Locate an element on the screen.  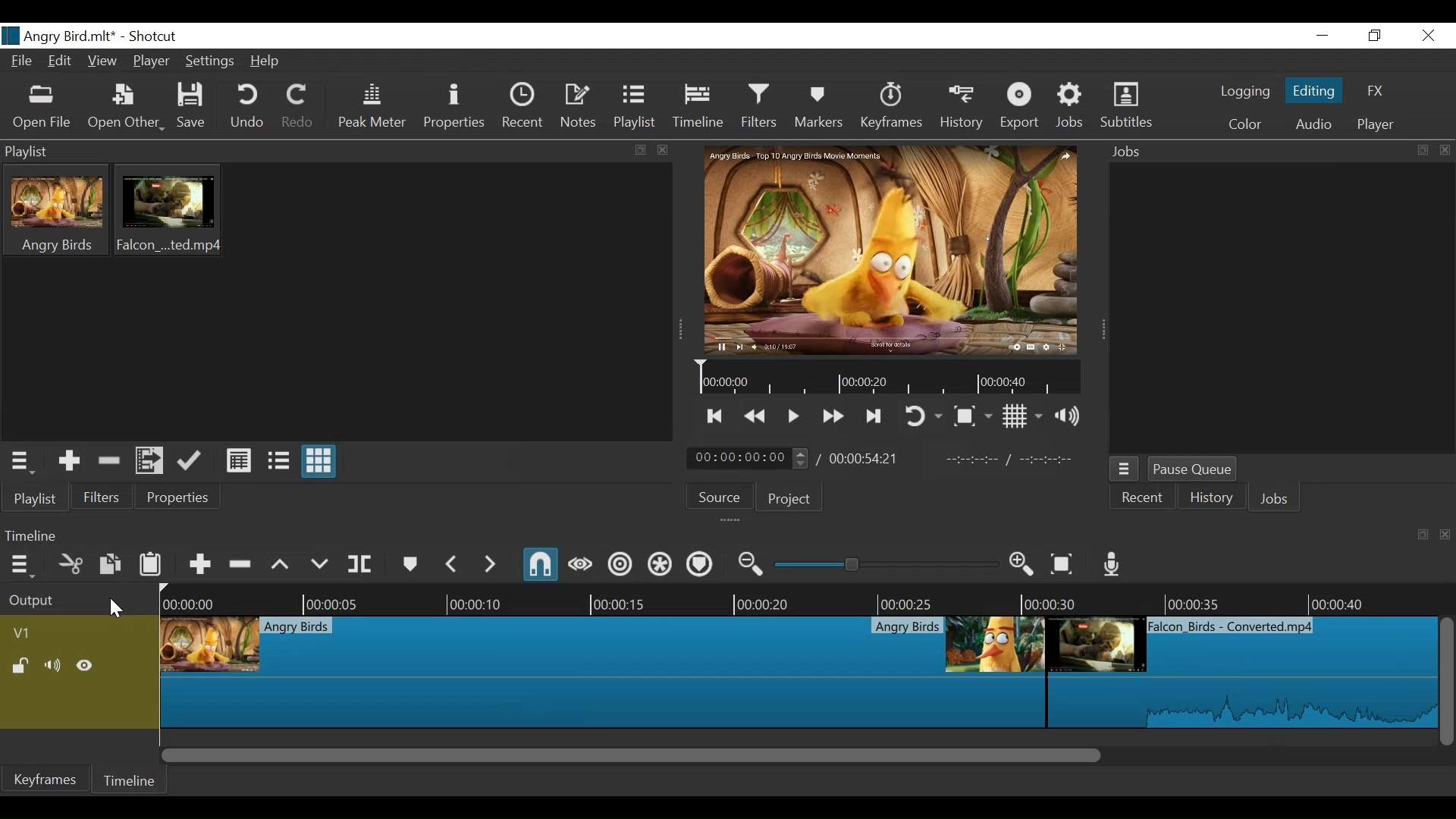
Player is located at coordinates (1378, 124).